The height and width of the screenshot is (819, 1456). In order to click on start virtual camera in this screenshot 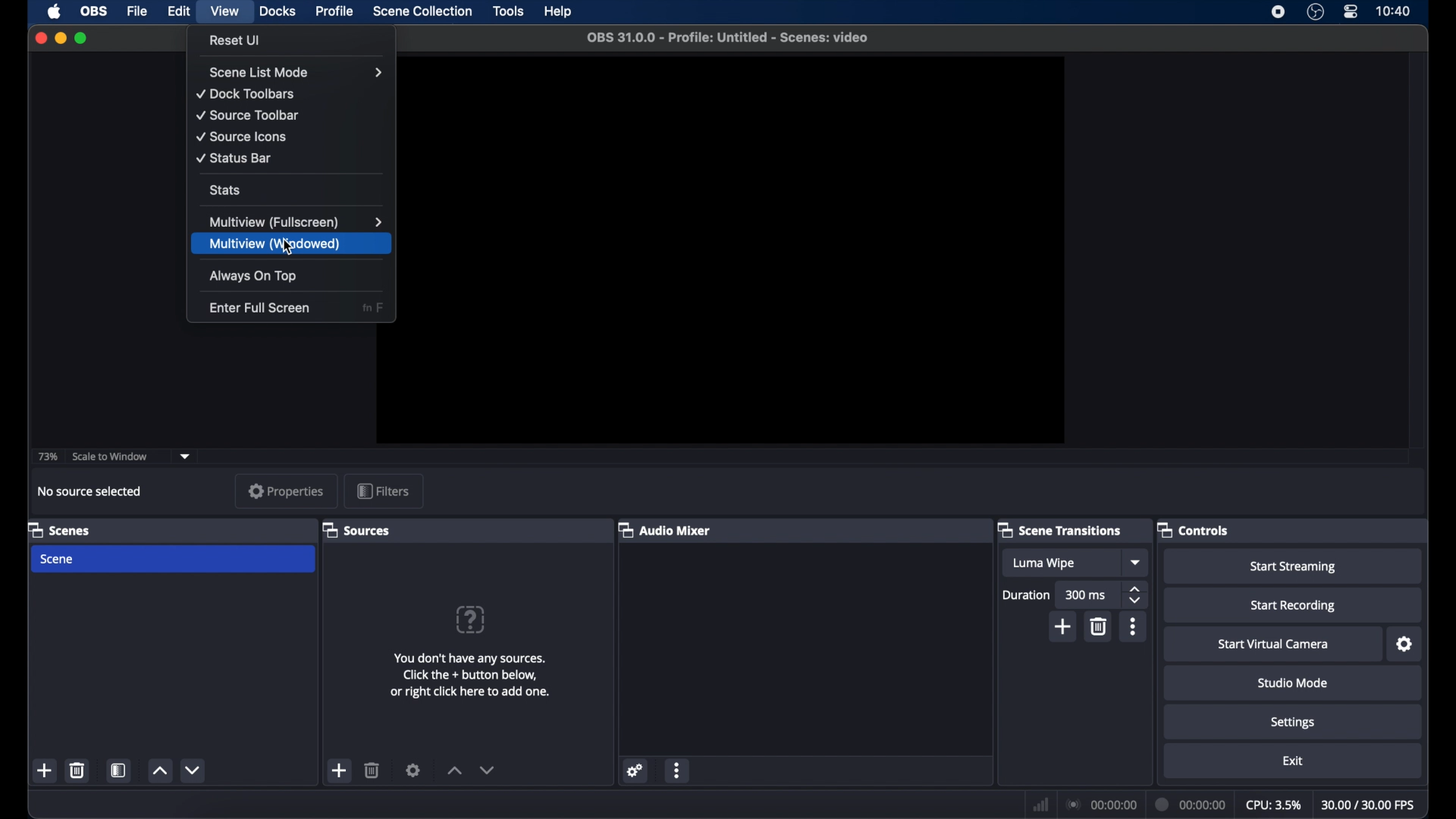, I will do `click(1272, 644)`.